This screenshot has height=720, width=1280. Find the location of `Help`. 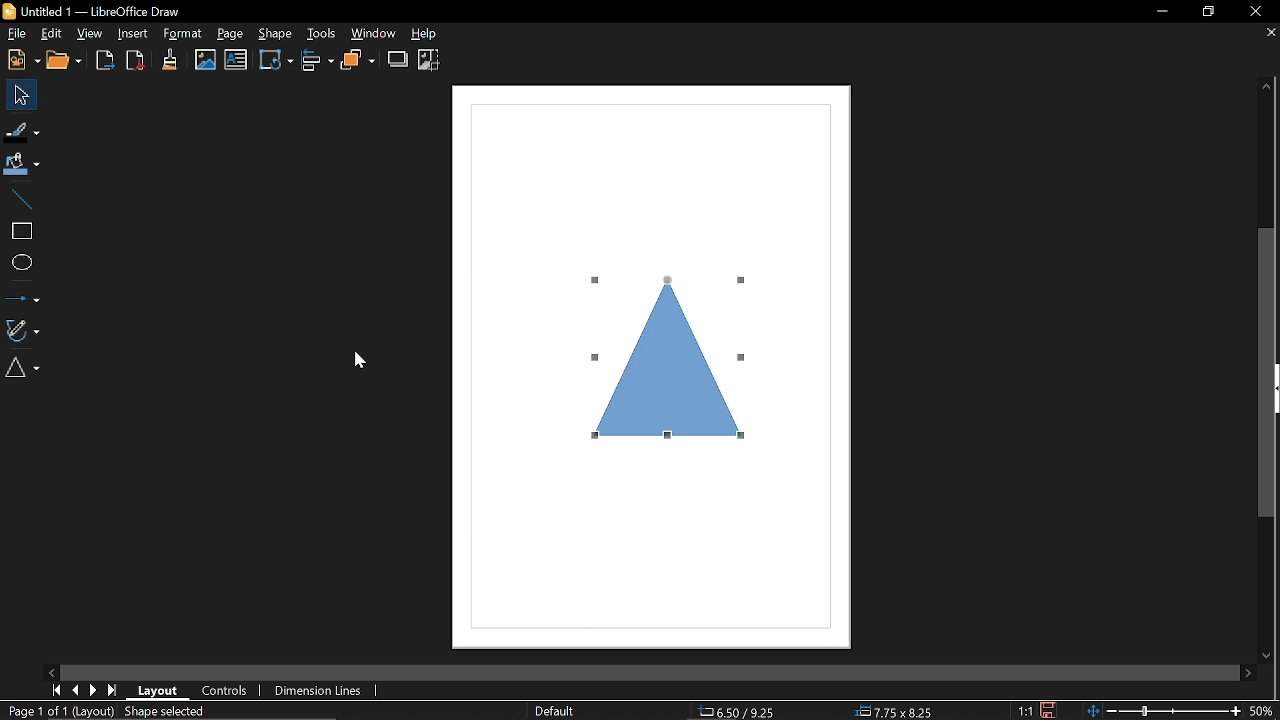

Help is located at coordinates (433, 33).